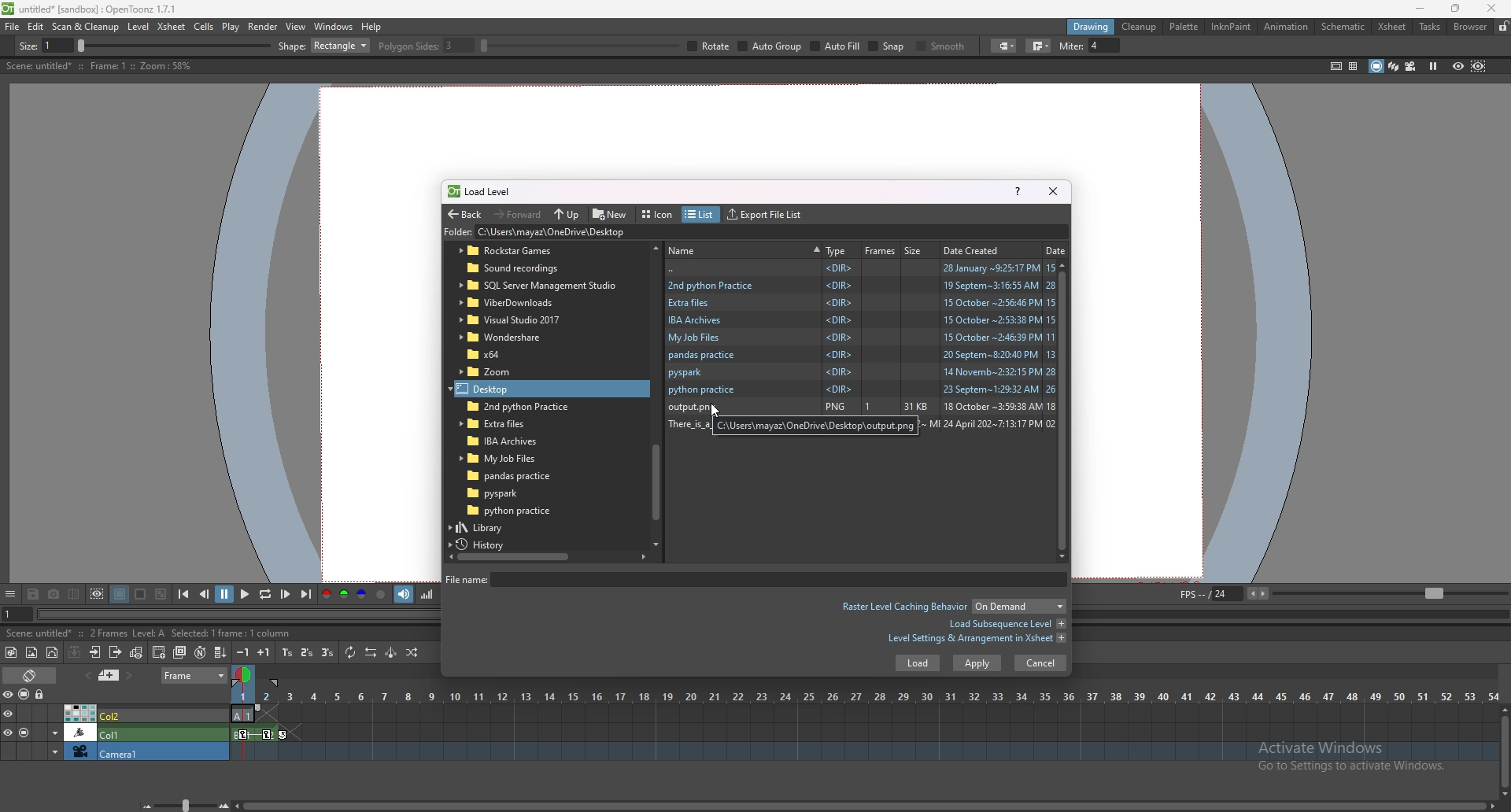 The image size is (1511, 812). Describe the element at coordinates (1420, 9) in the screenshot. I see `minimize` at that location.